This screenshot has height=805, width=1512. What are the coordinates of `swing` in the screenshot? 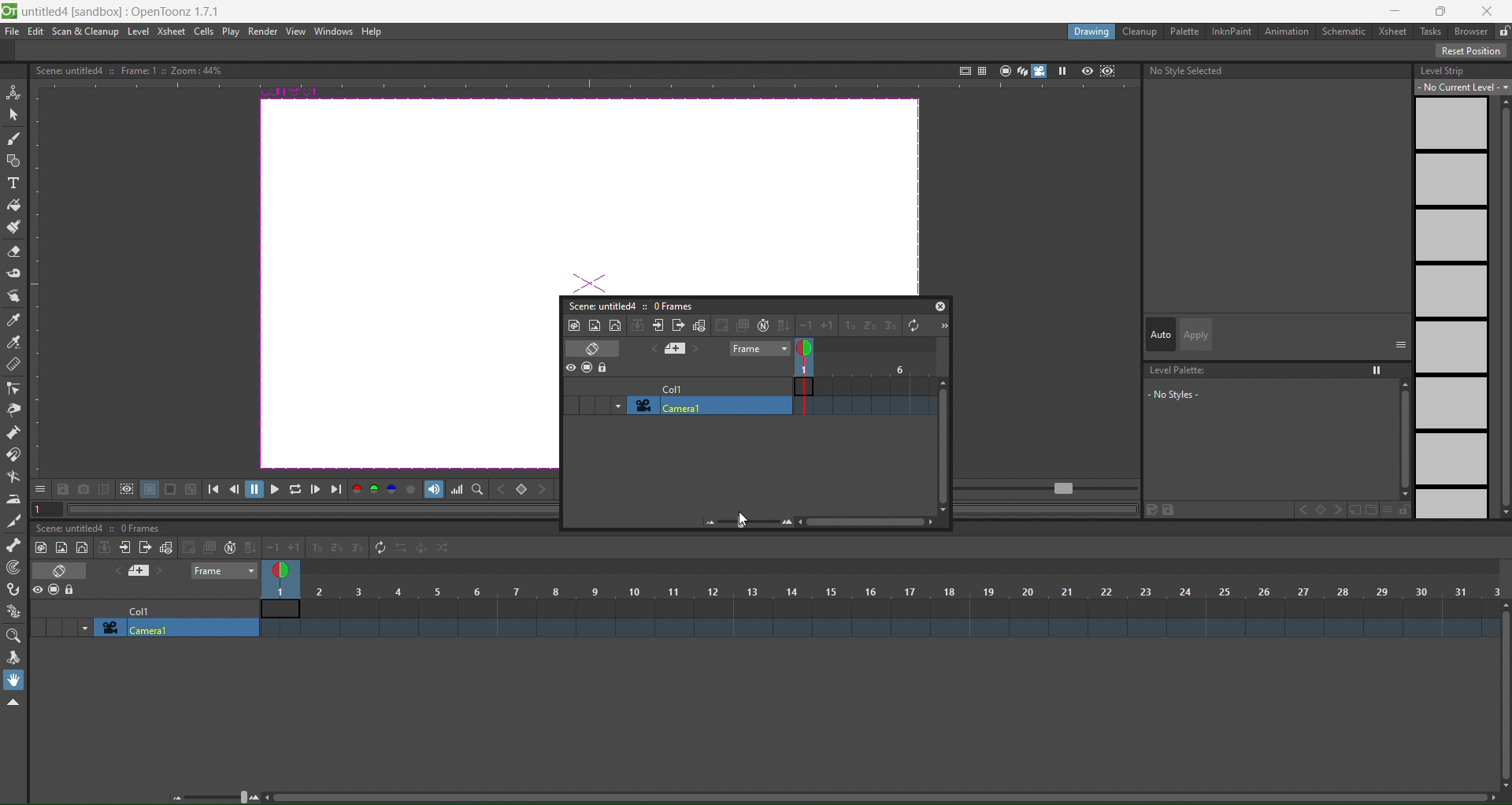 It's located at (422, 551).